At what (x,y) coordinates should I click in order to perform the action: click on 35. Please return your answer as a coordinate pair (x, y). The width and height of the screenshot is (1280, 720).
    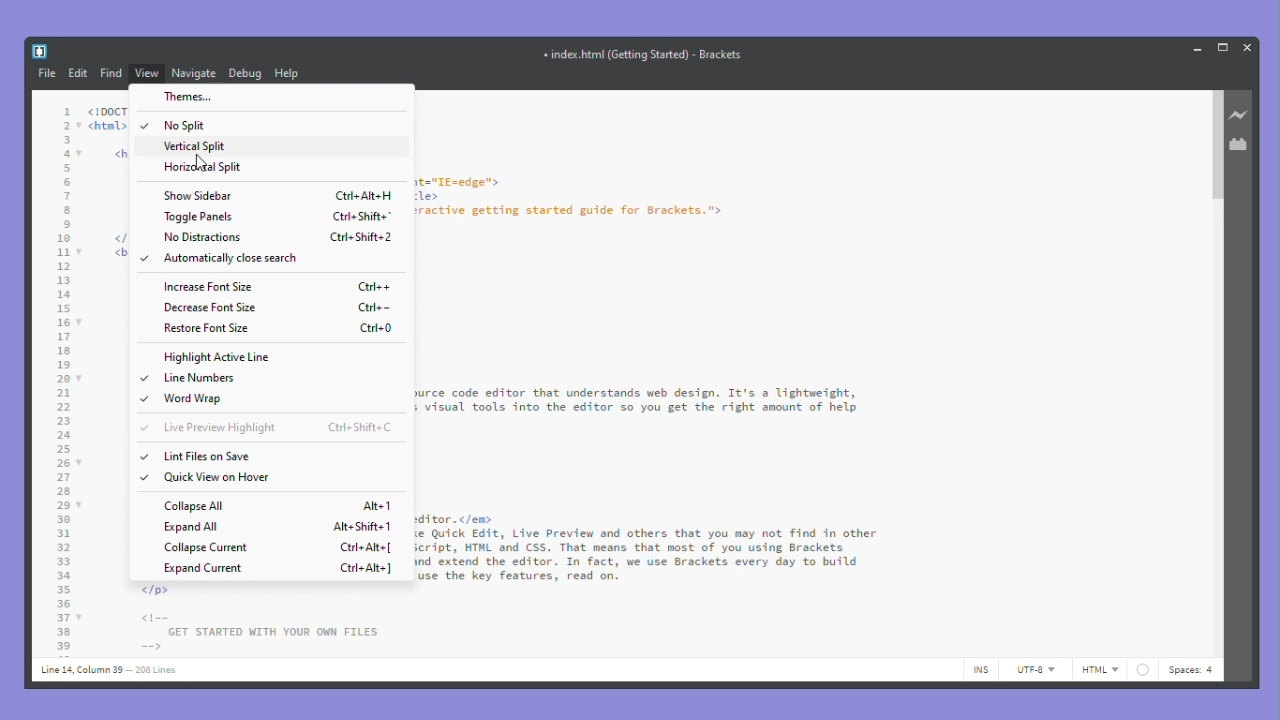
    Looking at the image, I should click on (63, 588).